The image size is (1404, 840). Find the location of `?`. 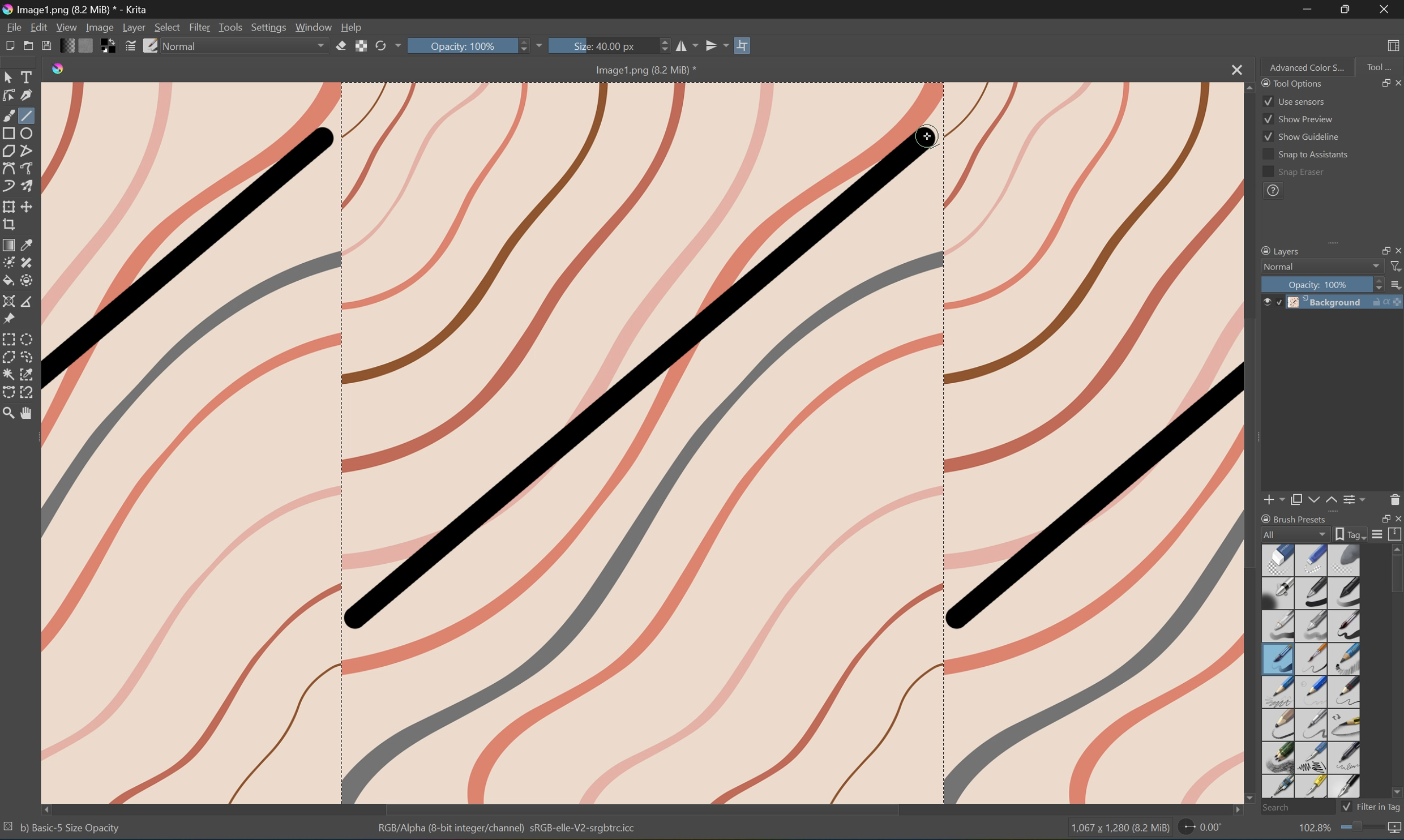

? is located at coordinates (1273, 192).